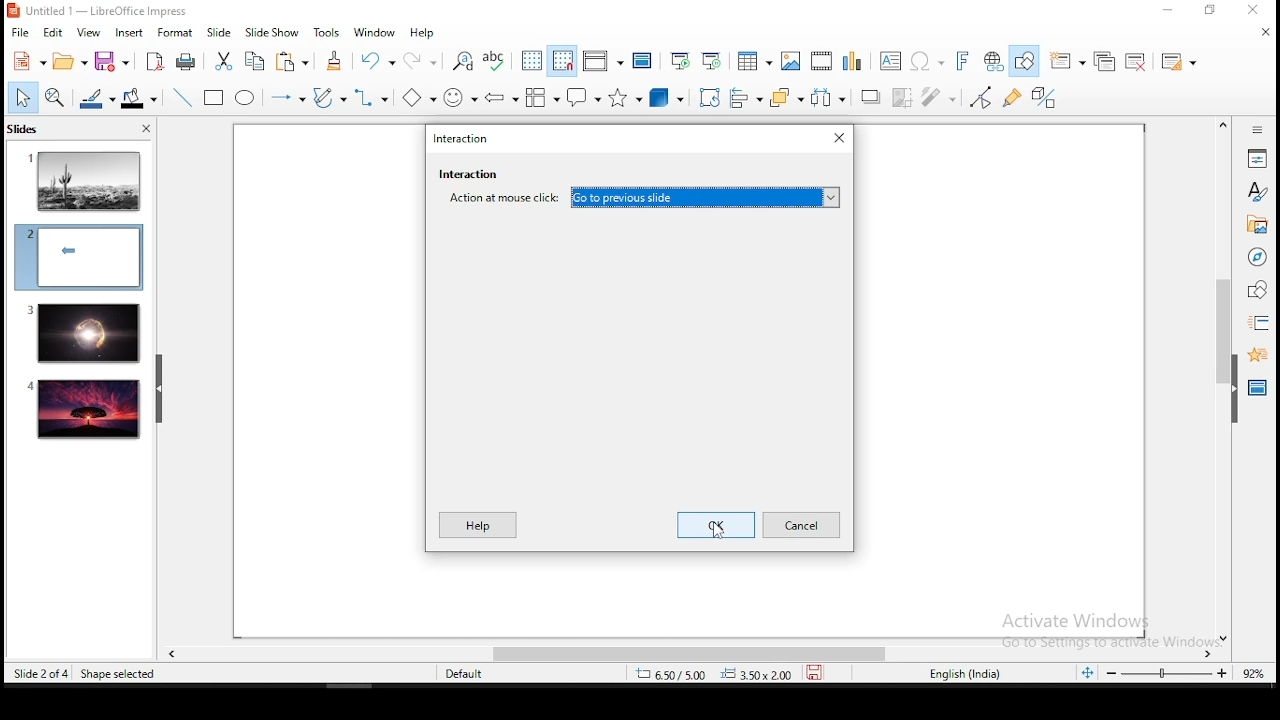  I want to click on symbol shapes, so click(460, 98).